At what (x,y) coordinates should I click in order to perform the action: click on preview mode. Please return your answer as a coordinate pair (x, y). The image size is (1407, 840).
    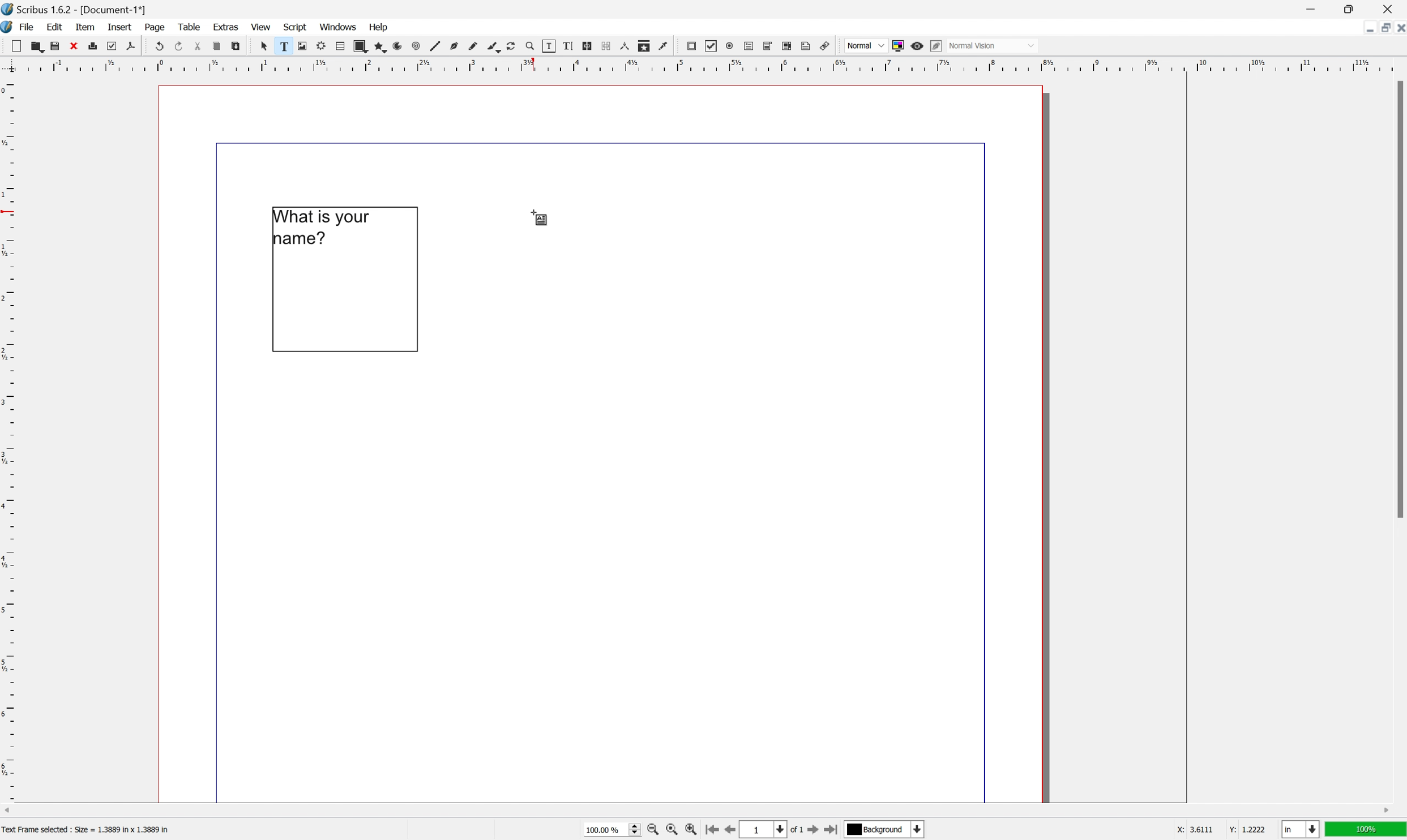
    Looking at the image, I should click on (916, 45).